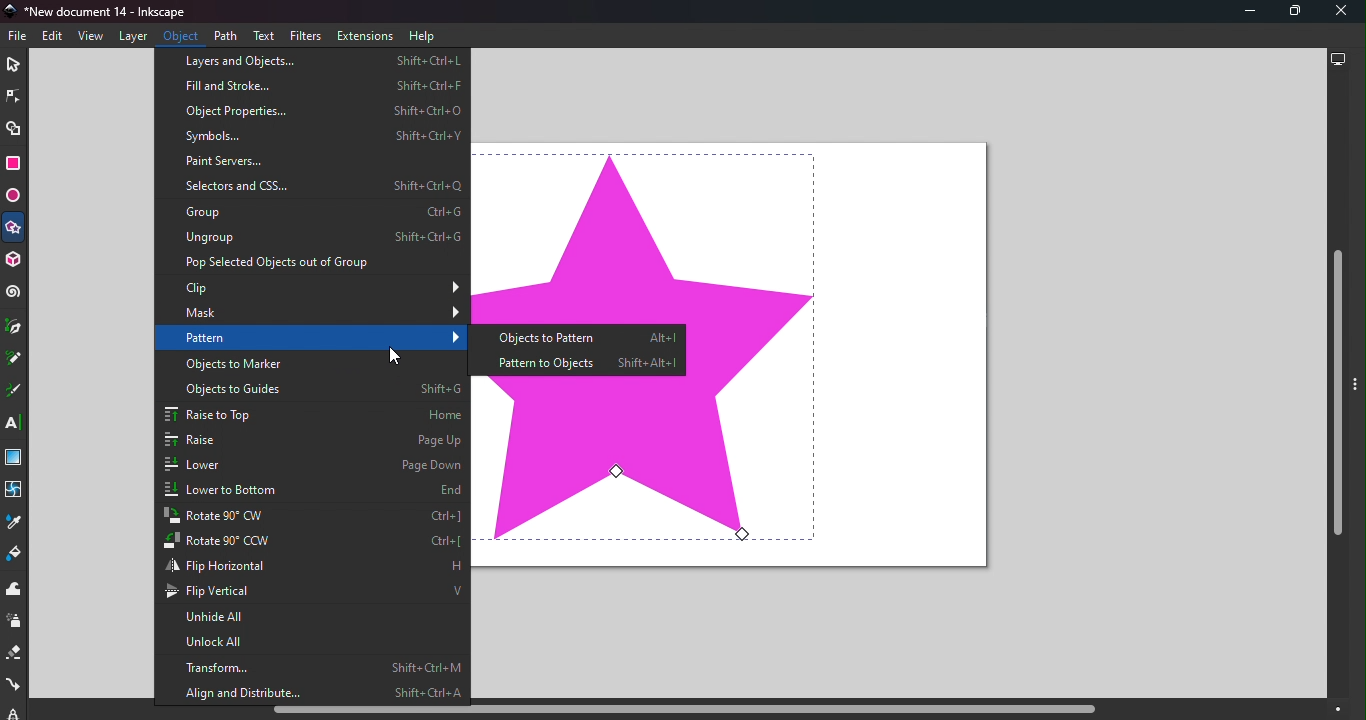 Image resolution: width=1366 pixels, height=720 pixels. Describe the element at coordinates (312, 568) in the screenshot. I see `Flip horizontal` at that location.